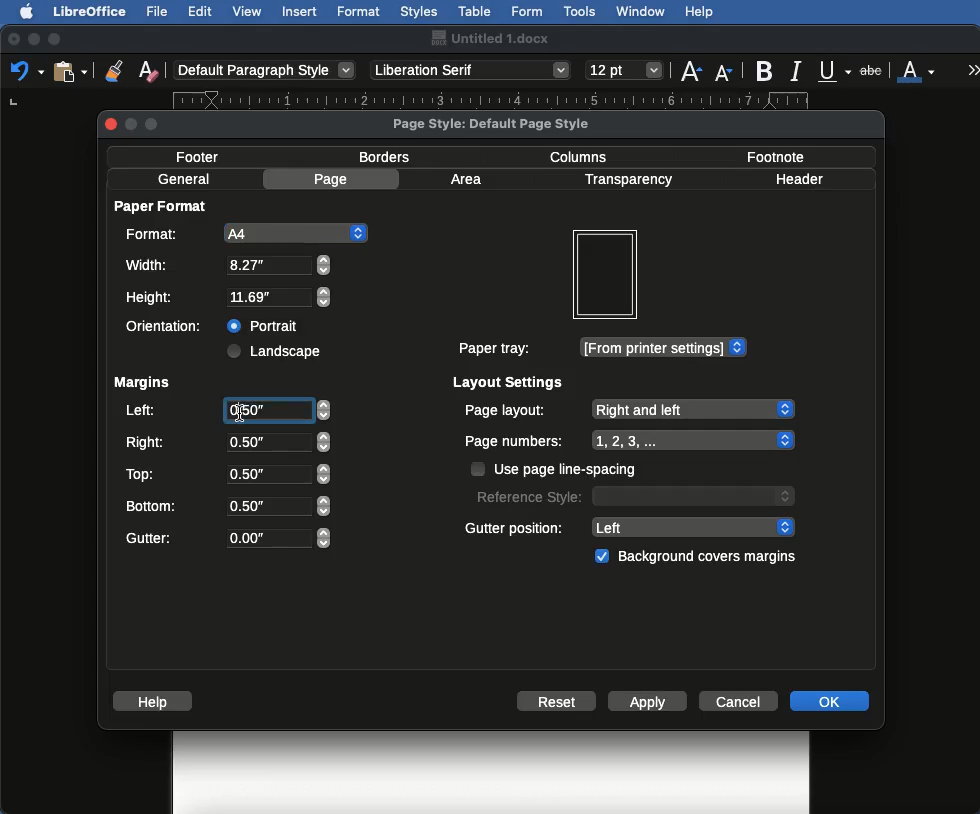  What do you see at coordinates (741, 700) in the screenshot?
I see `Cancel` at bounding box center [741, 700].